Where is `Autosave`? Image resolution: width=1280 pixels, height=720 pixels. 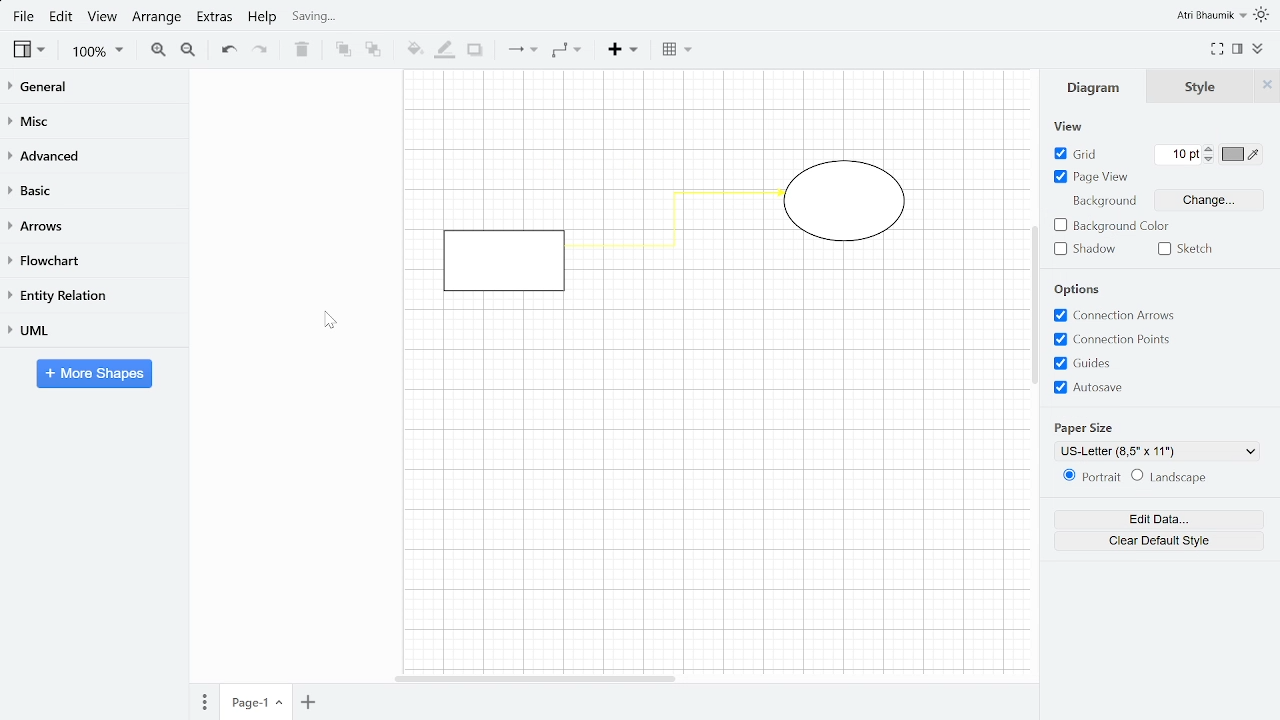
Autosave is located at coordinates (1113, 388).